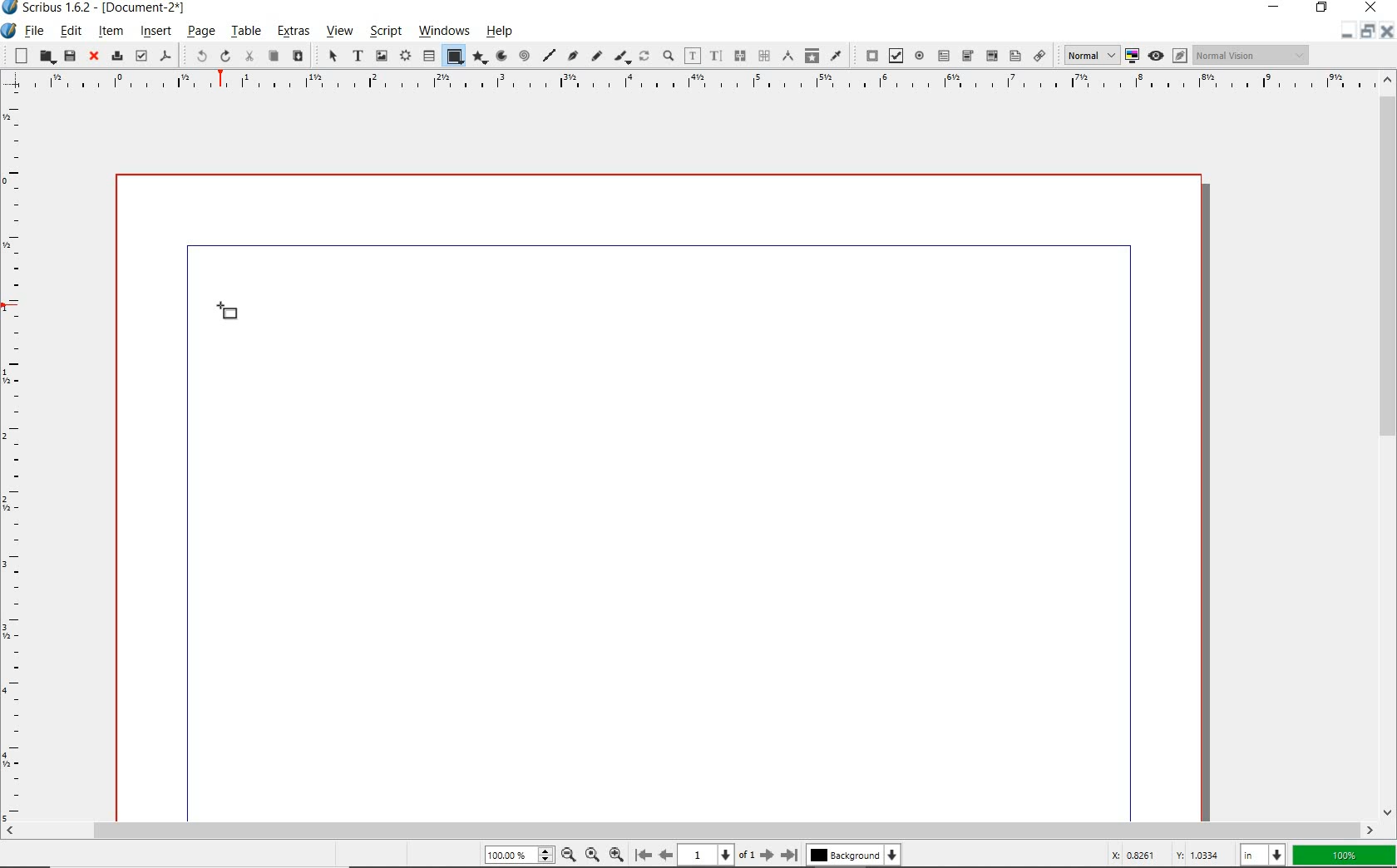 The width and height of the screenshot is (1397, 868). I want to click on edit, so click(72, 31).